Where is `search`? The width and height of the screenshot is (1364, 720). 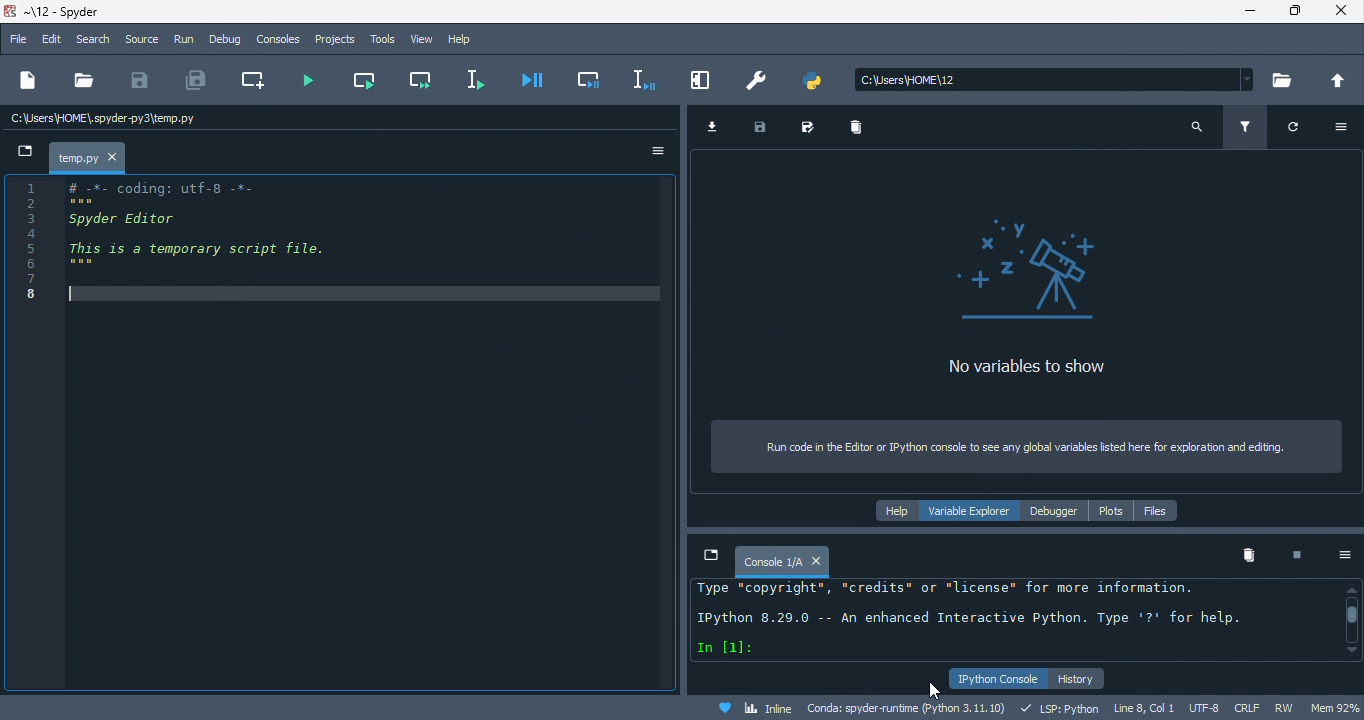
search is located at coordinates (94, 42).